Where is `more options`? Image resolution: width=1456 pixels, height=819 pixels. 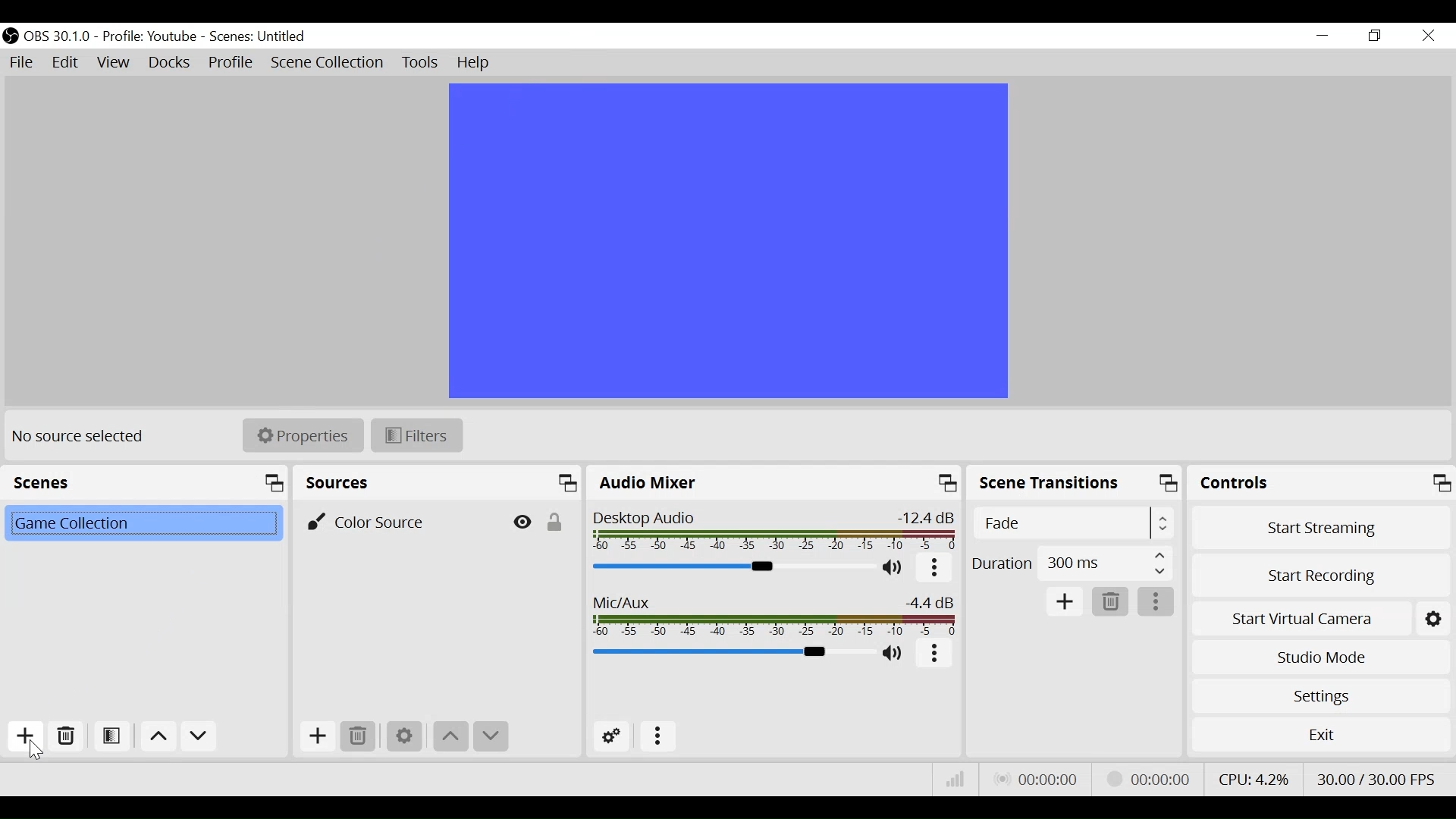
more options is located at coordinates (1158, 602).